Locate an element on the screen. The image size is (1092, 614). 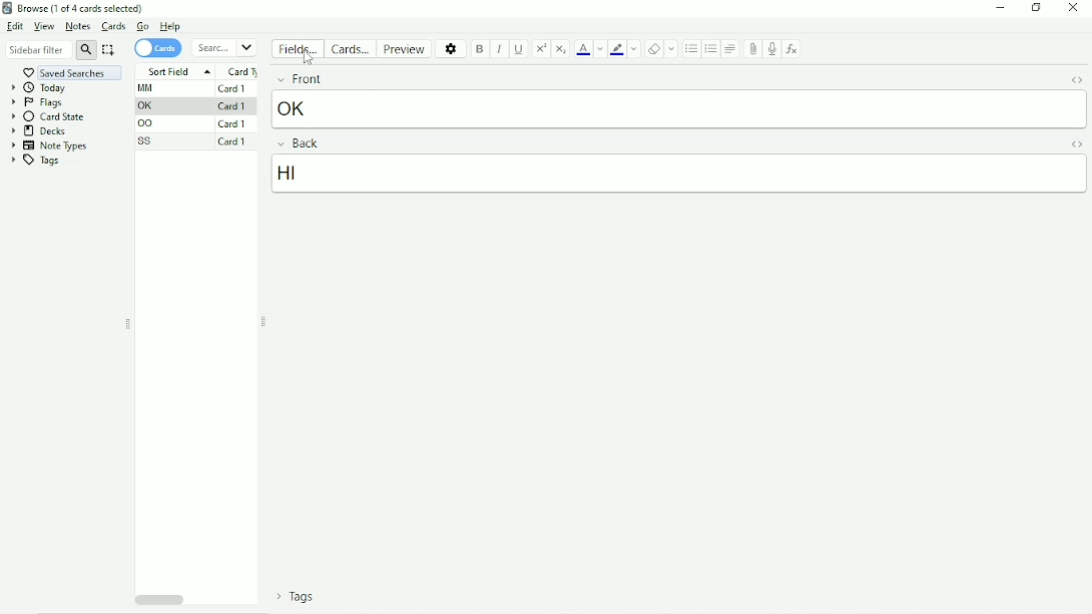
Restore down is located at coordinates (1037, 8).